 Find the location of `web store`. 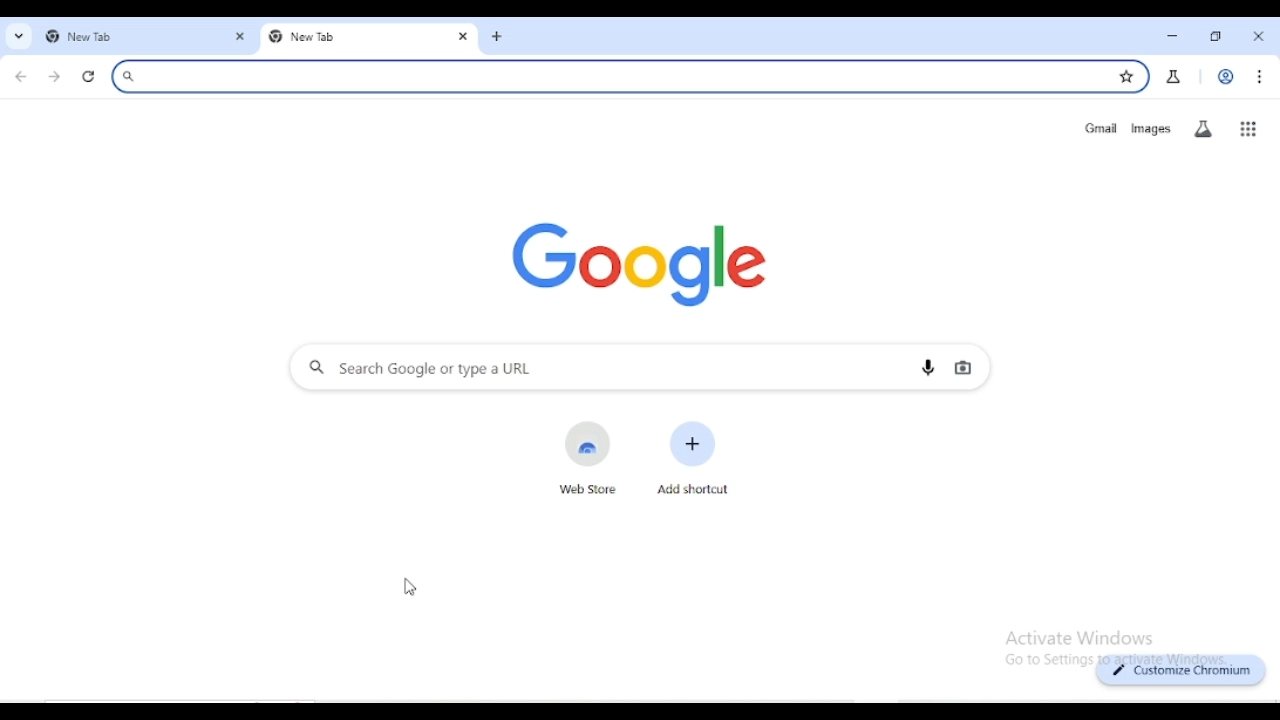

web store is located at coordinates (588, 460).